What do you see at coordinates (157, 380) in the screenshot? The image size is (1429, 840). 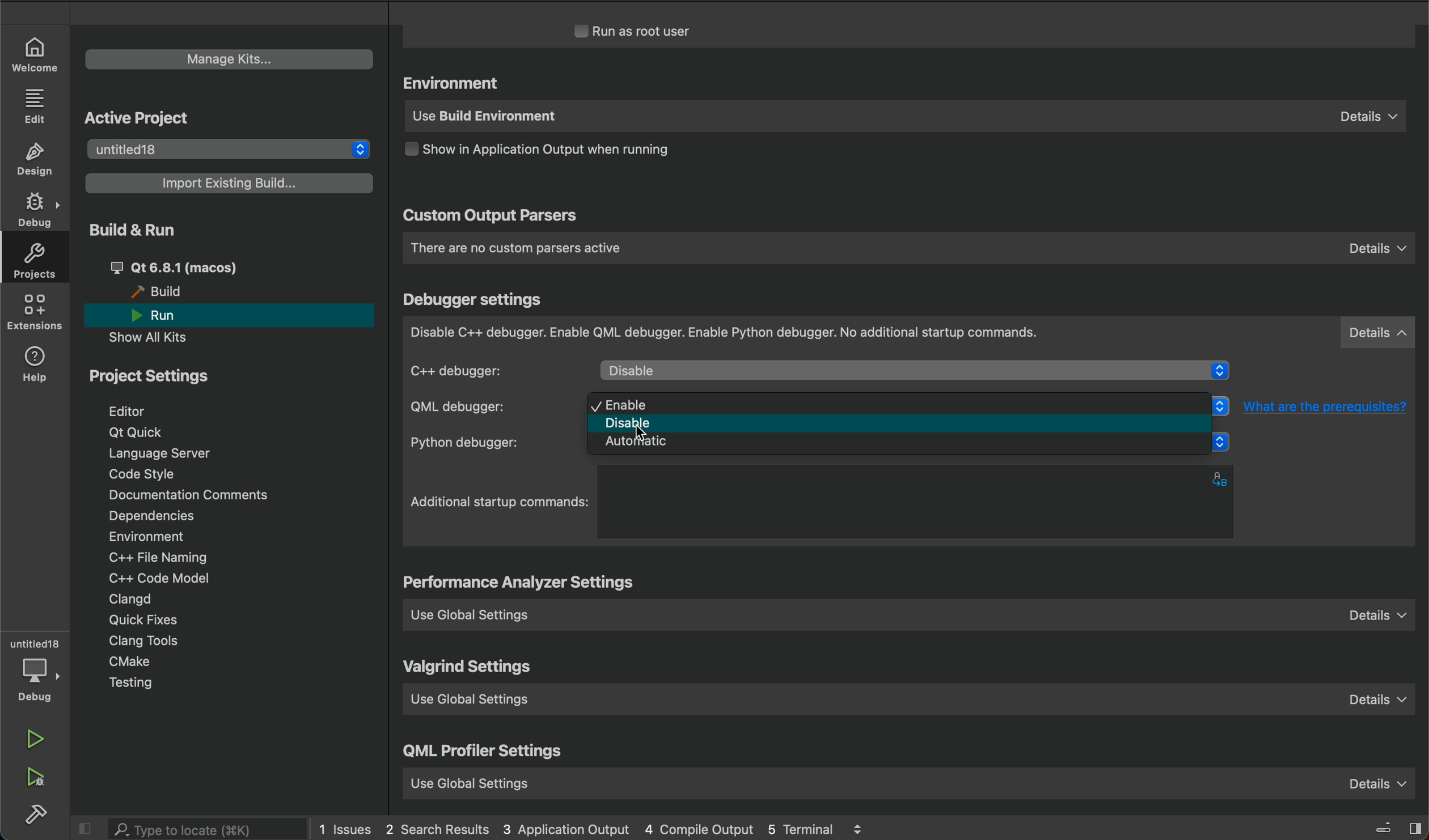 I see `project` at bounding box center [157, 380].